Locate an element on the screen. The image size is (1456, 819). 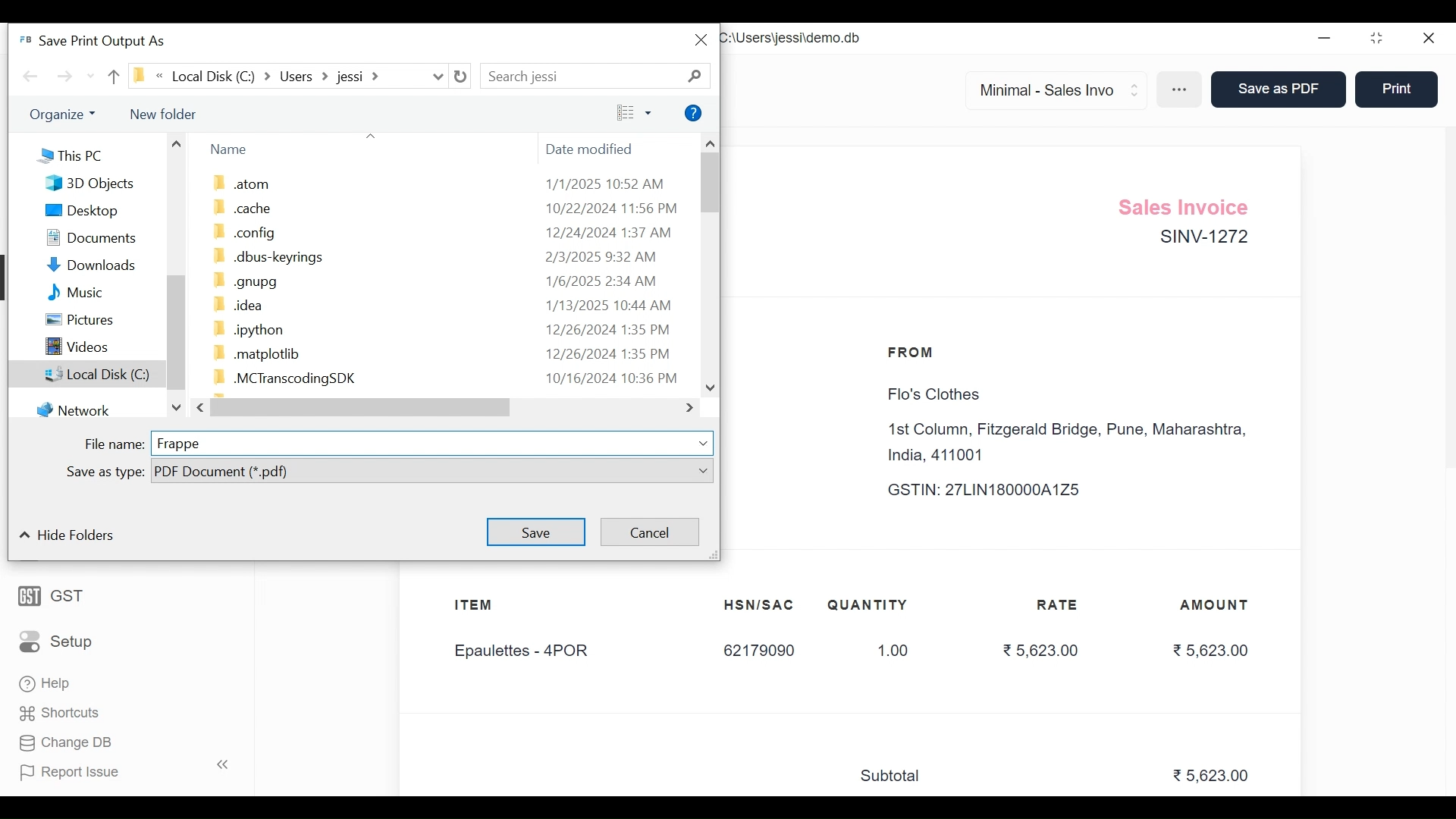
HSN/SAC is located at coordinates (760, 605).